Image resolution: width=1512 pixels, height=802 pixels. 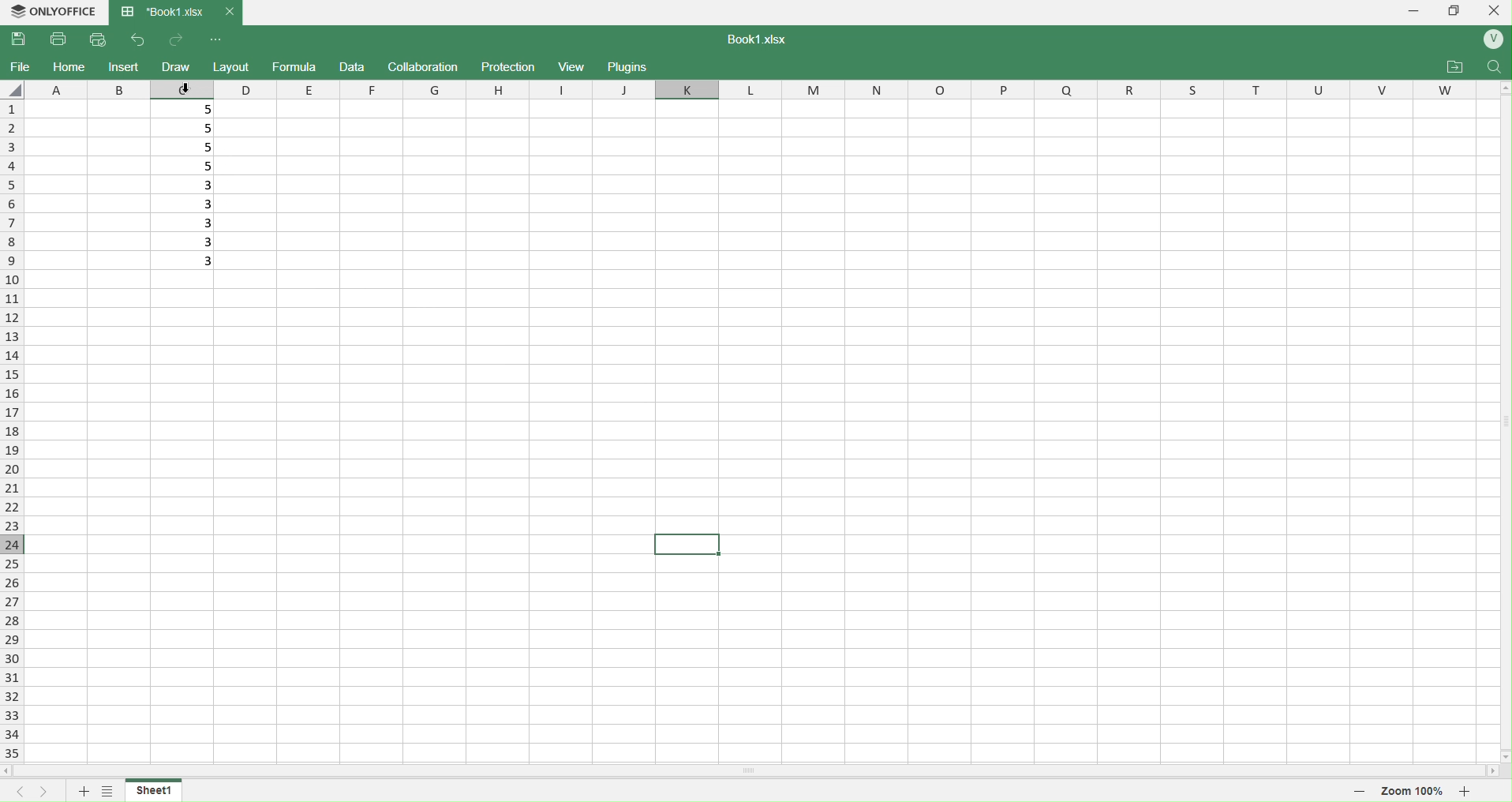 I want to click on 3, so click(x=190, y=184).